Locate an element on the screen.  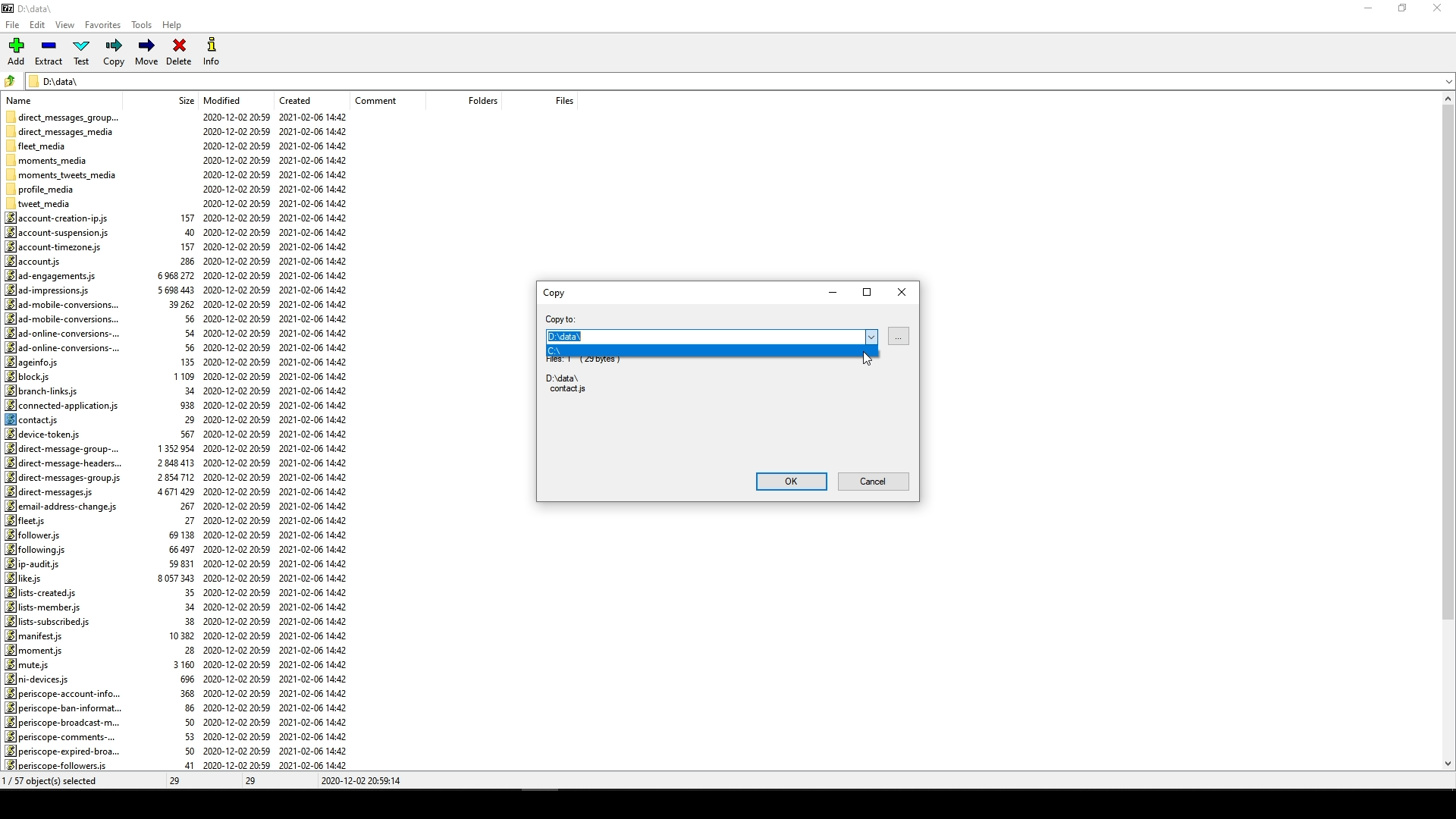
View is located at coordinates (67, 26).